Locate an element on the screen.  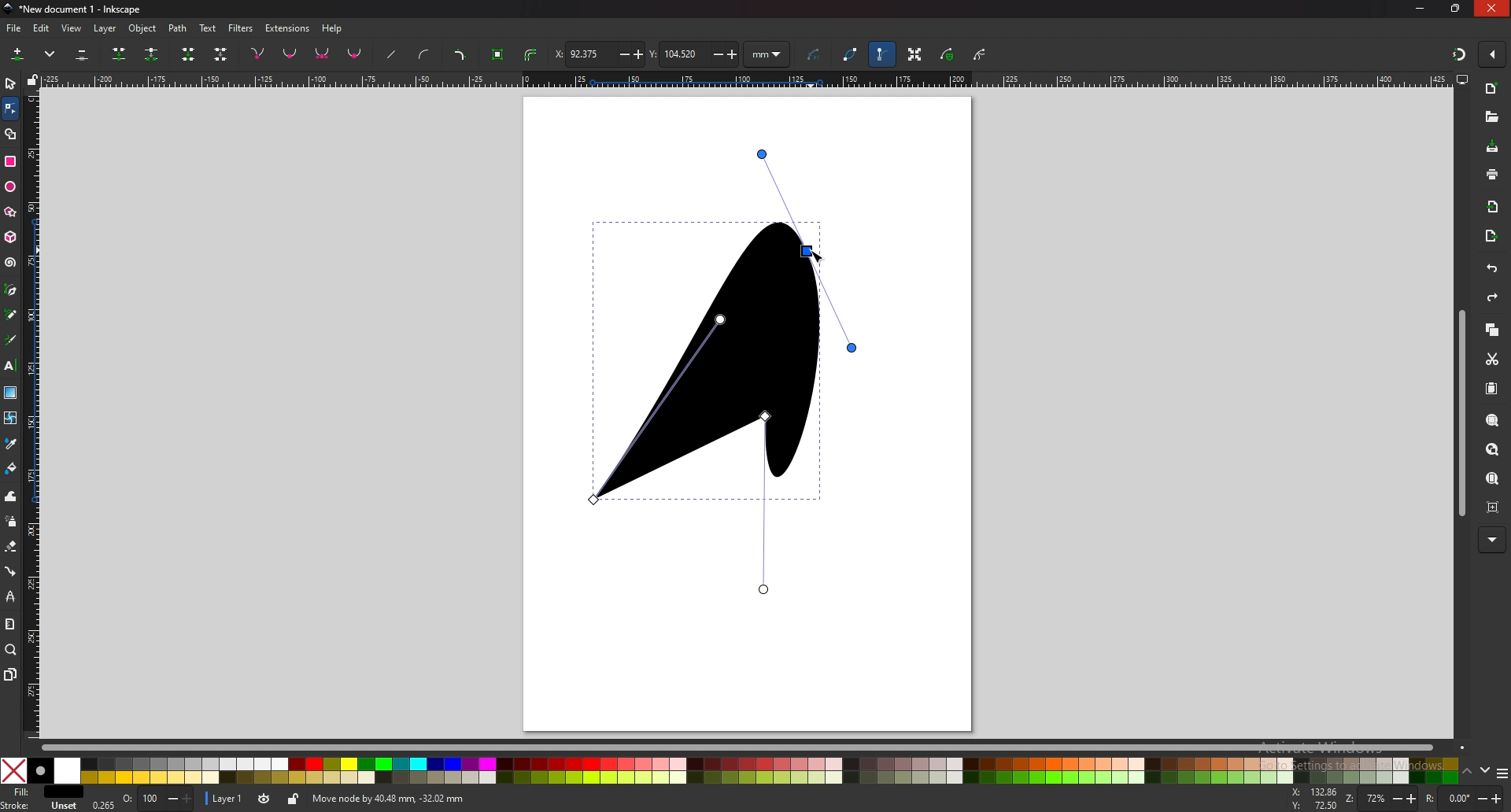
horizontal scale is located at coordinates (744, 79).